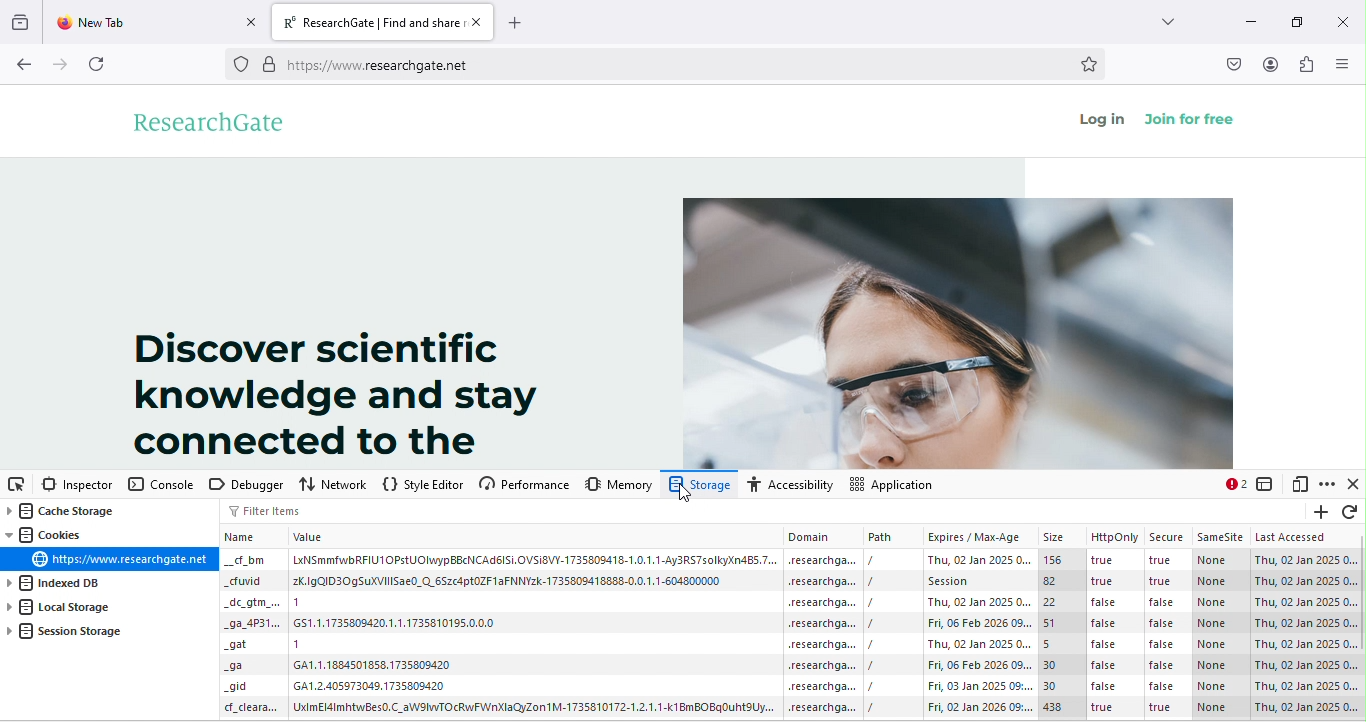 This screenshot has height=722, width=1366. Describe the element at coordinates (60, 63) in the screenshot. I see `forward` at that location.